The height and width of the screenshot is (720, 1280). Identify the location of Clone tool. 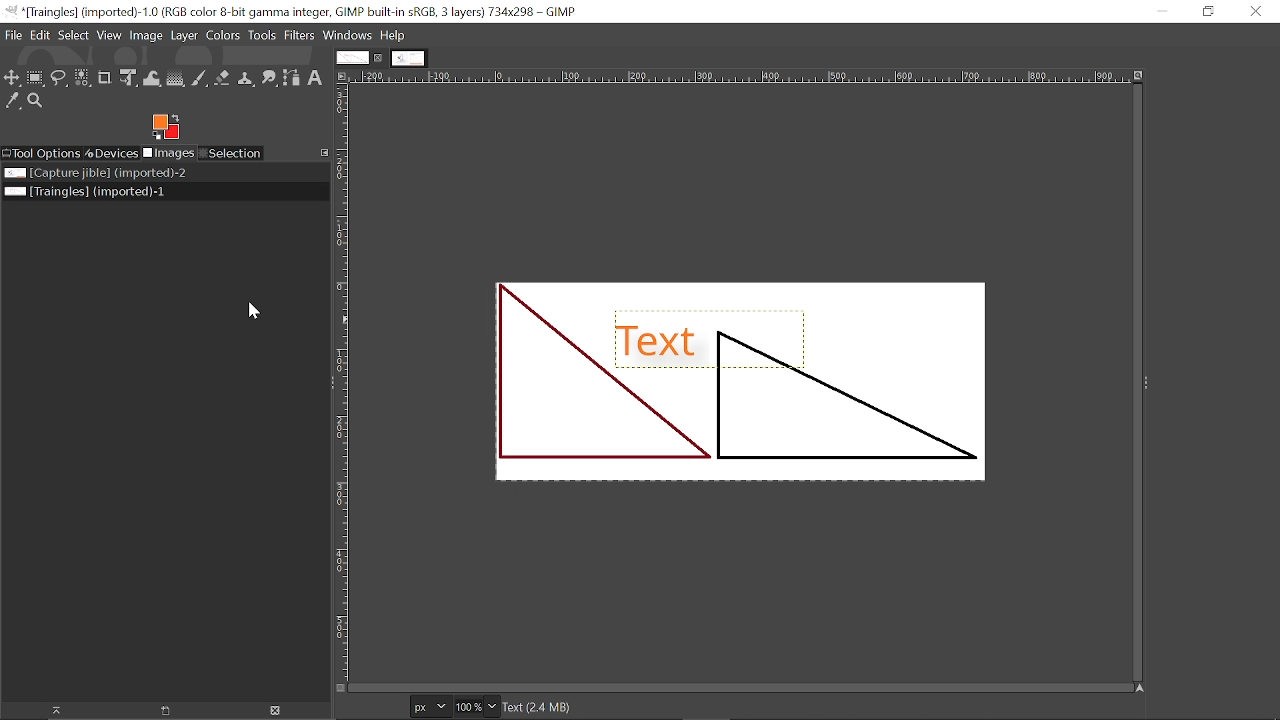
(247, 79).